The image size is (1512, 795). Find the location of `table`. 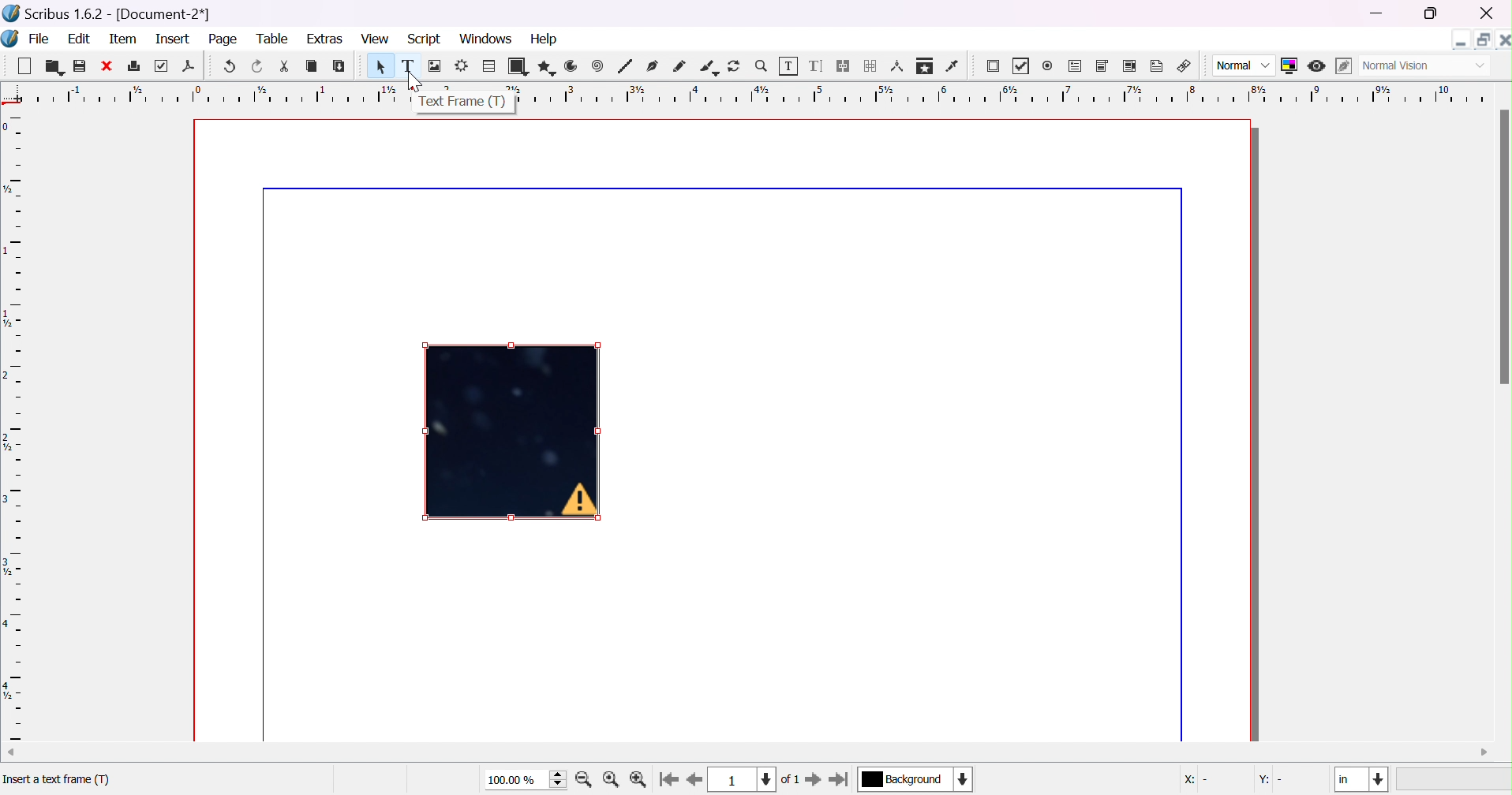

table is located at coordinates (488, 64).